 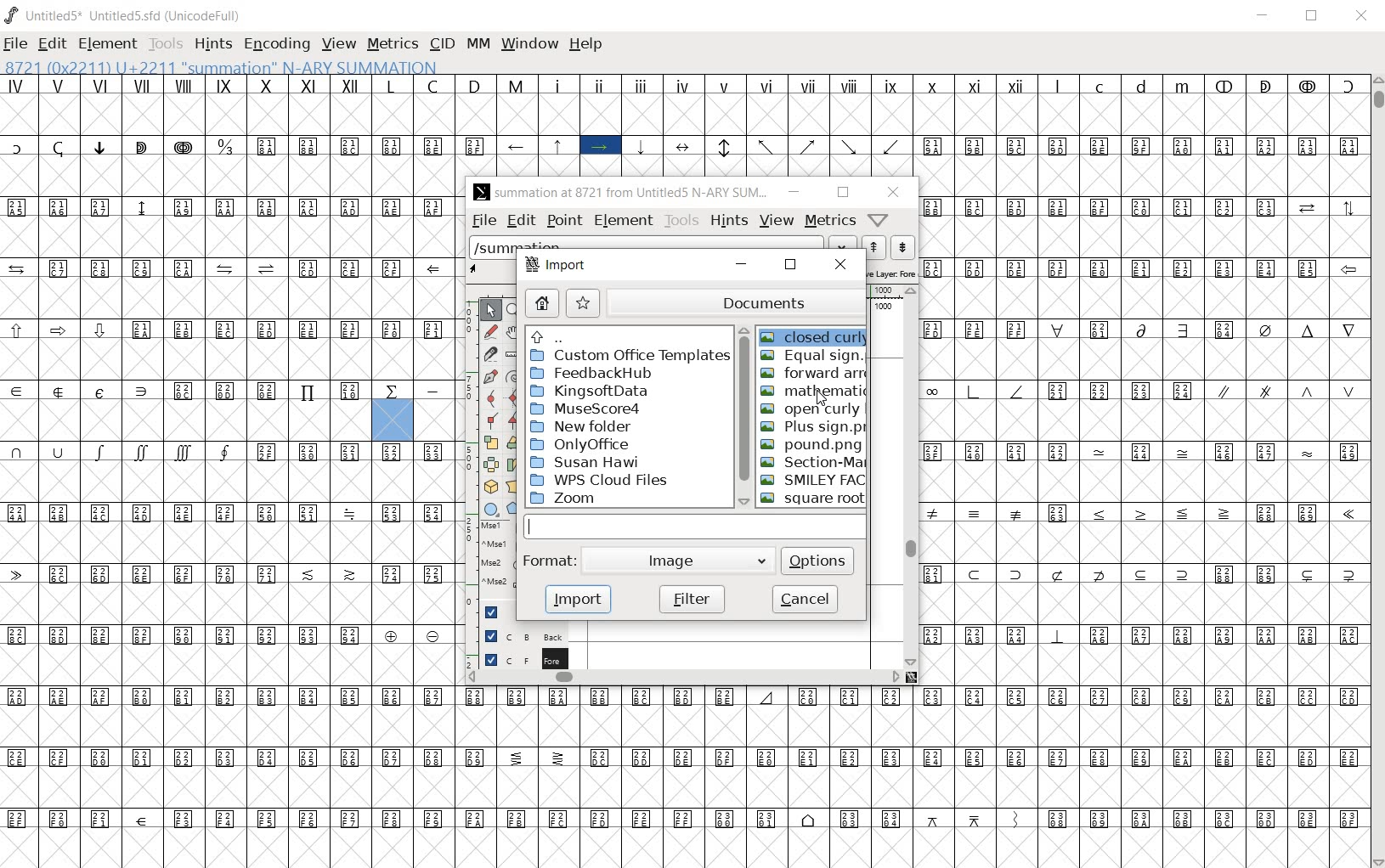 I want to click on home, so click(x=542, y=302).